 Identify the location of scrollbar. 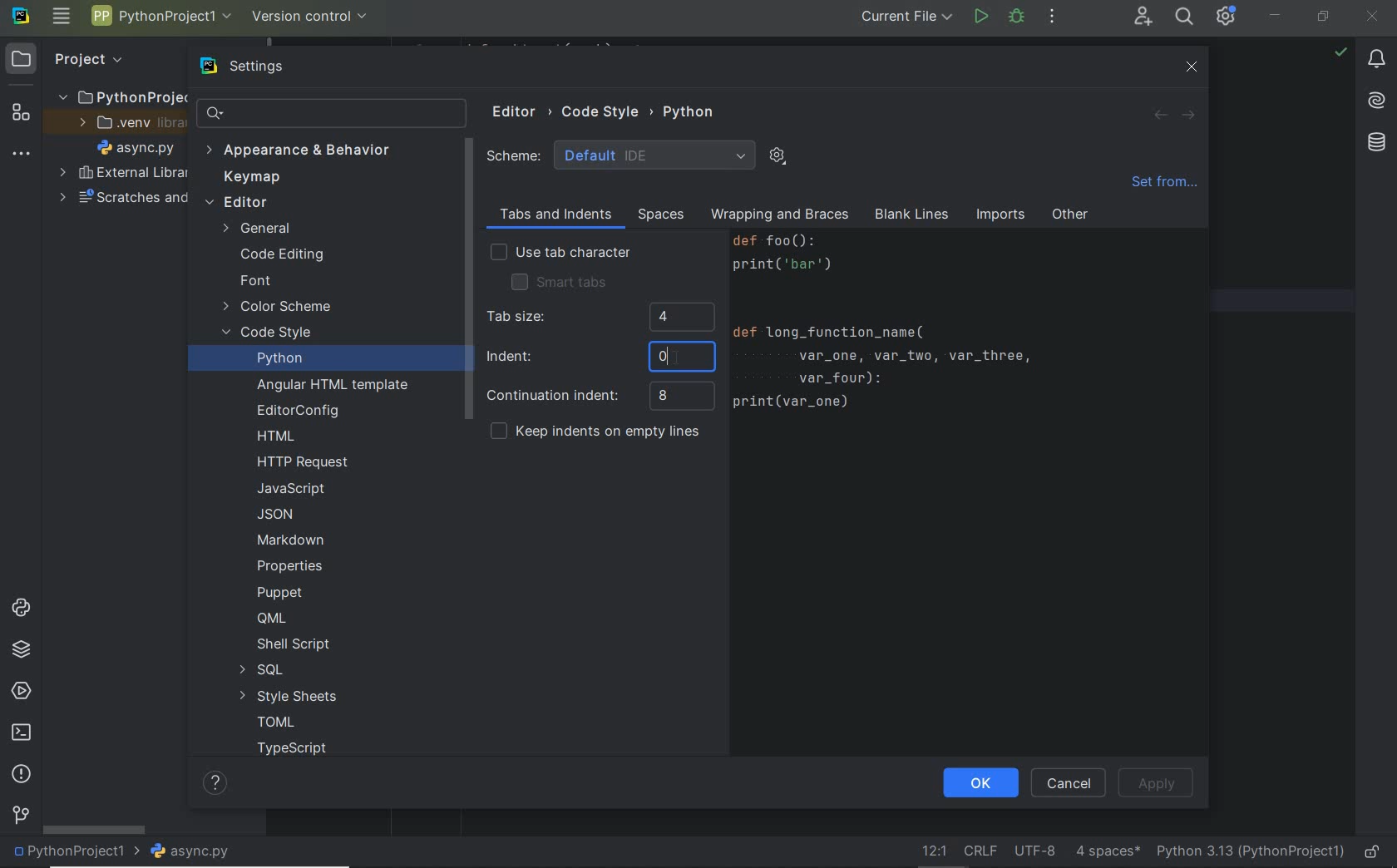
(466, 281).